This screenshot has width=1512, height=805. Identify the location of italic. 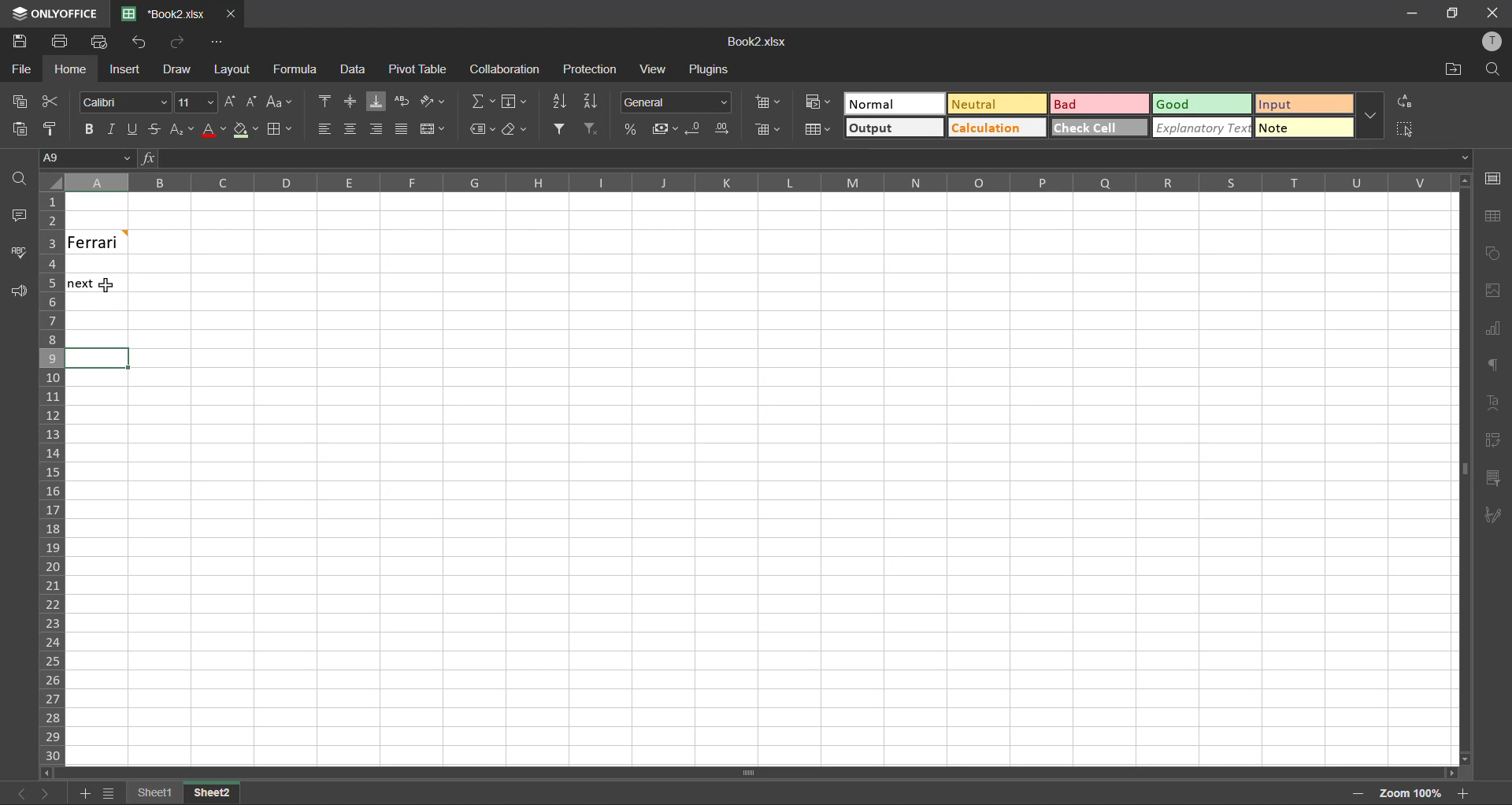
(109, 129).